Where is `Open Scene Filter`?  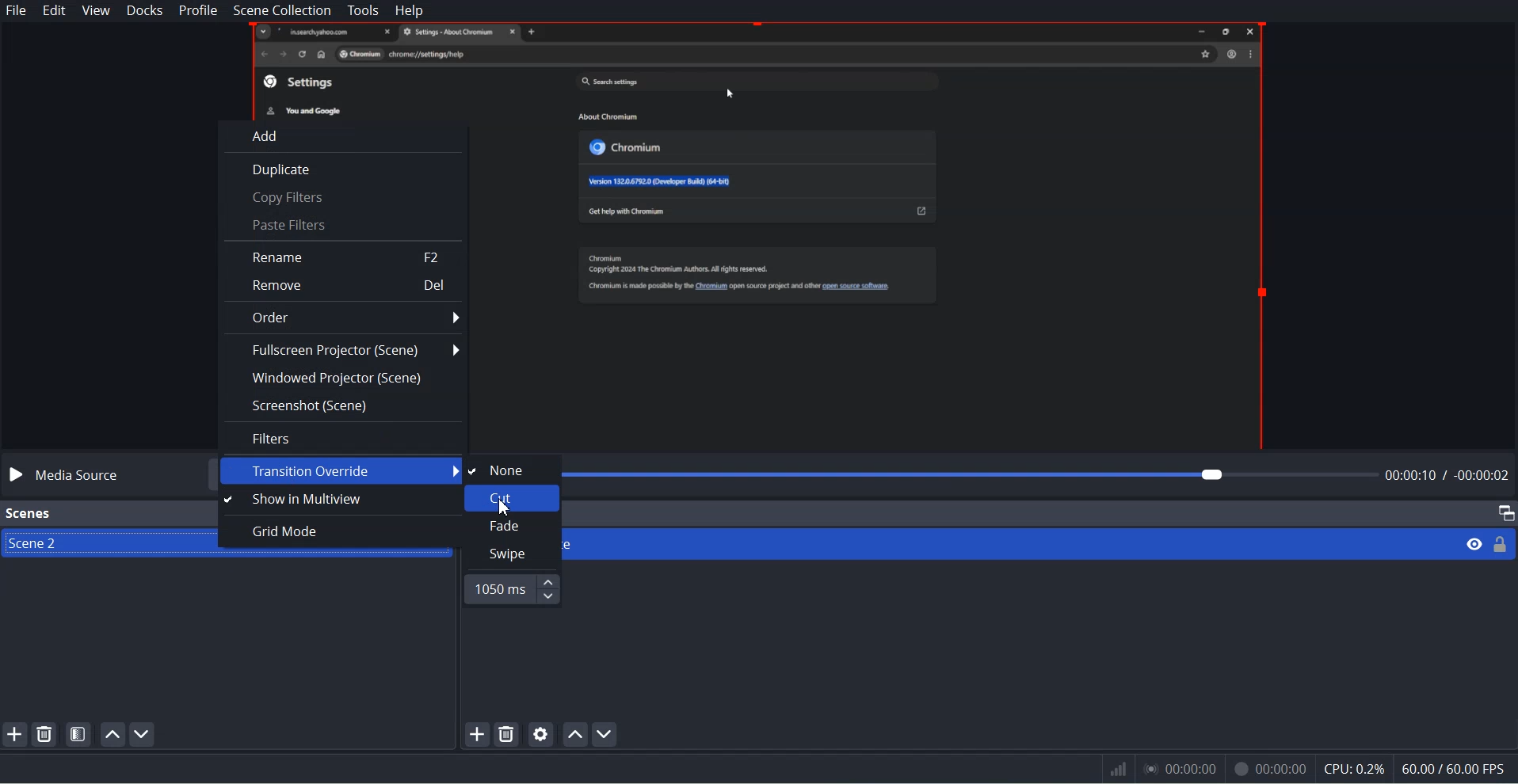
Open Scene Filter is located at coordinates (79, 733).